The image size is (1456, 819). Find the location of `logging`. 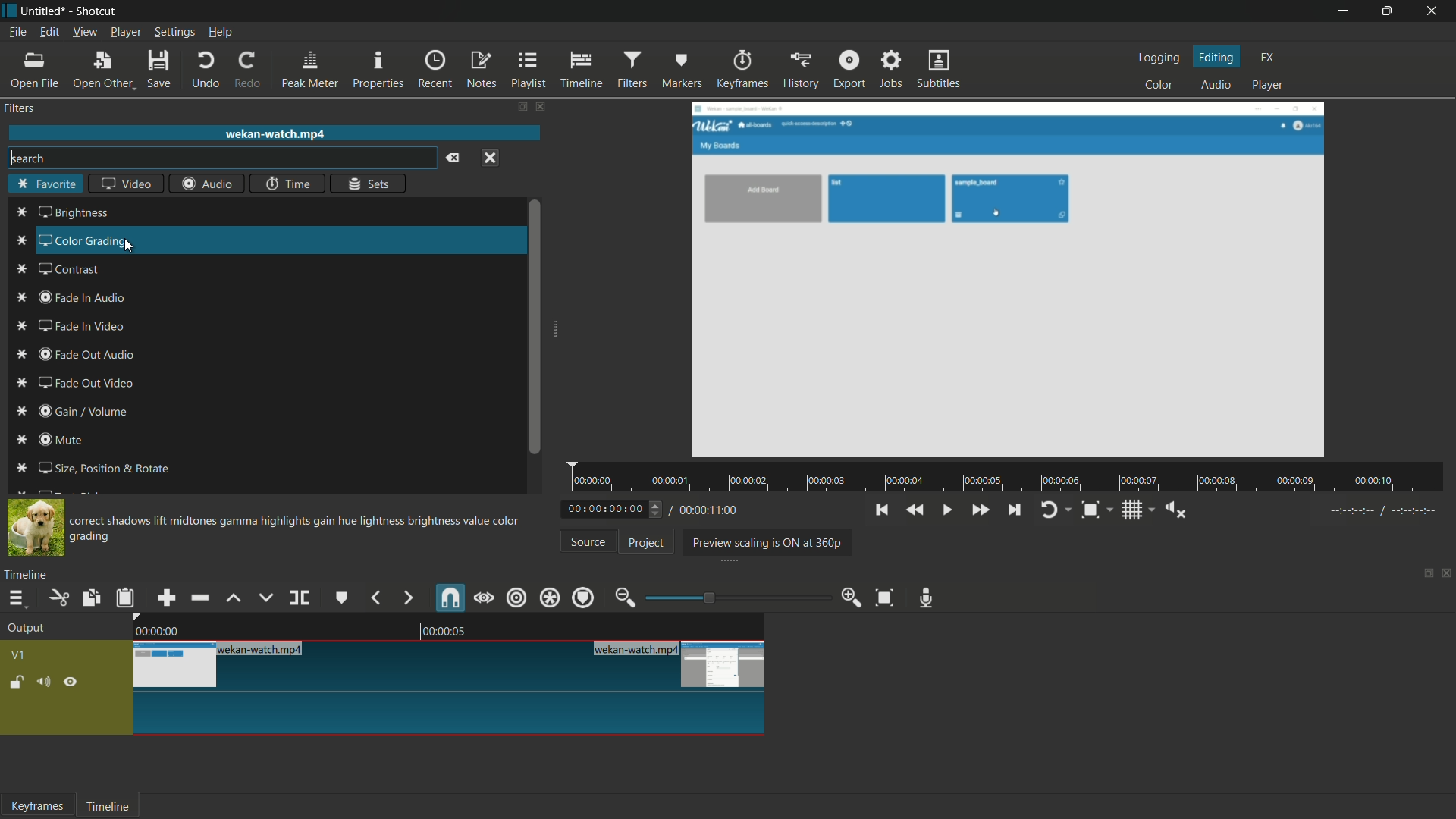

logging is located at coordinates (1157, 58).